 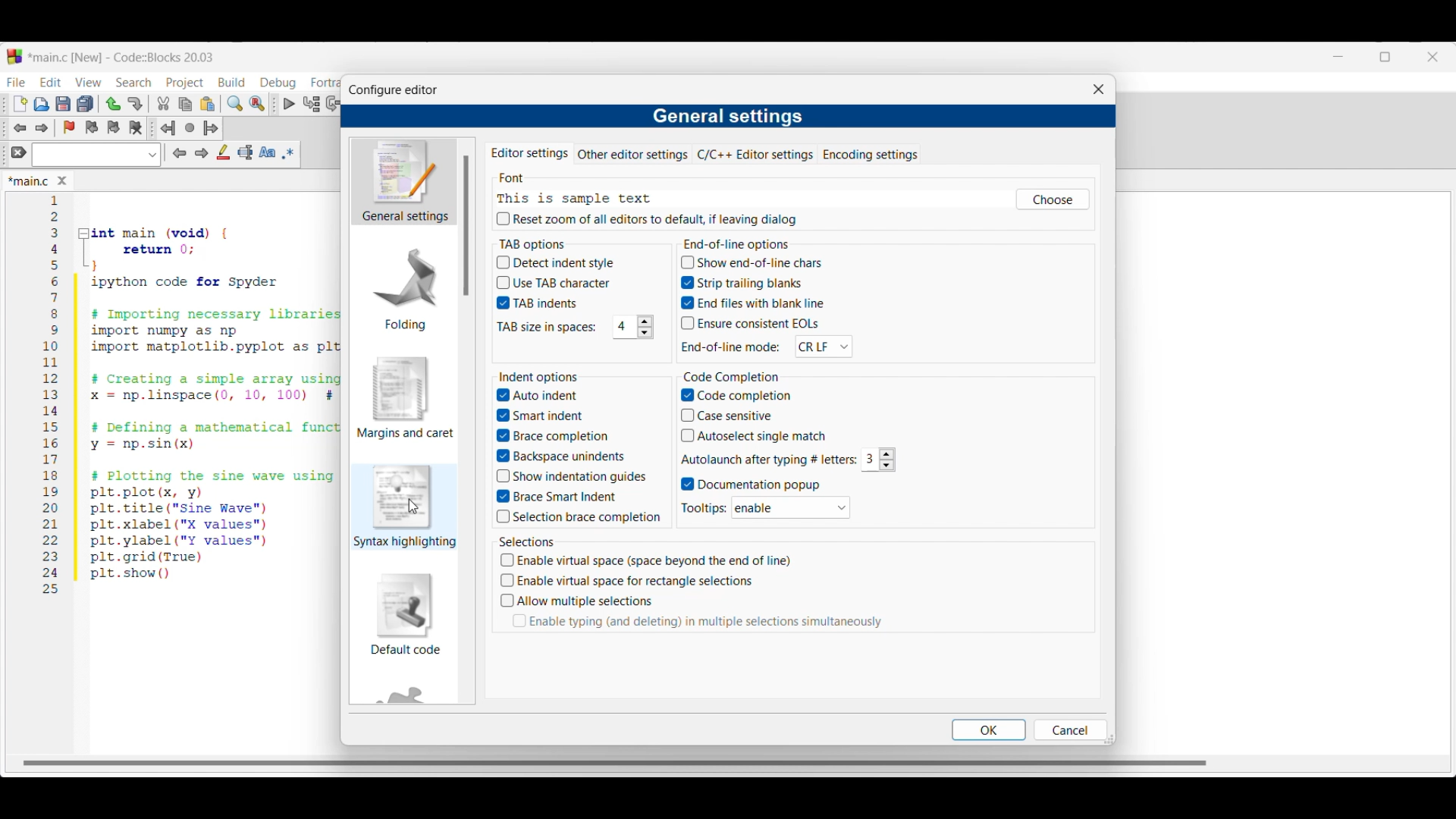 What do you see at coordinates (990, 730) in the screenshot?
I see `OK` at bounding box center [990, 730].